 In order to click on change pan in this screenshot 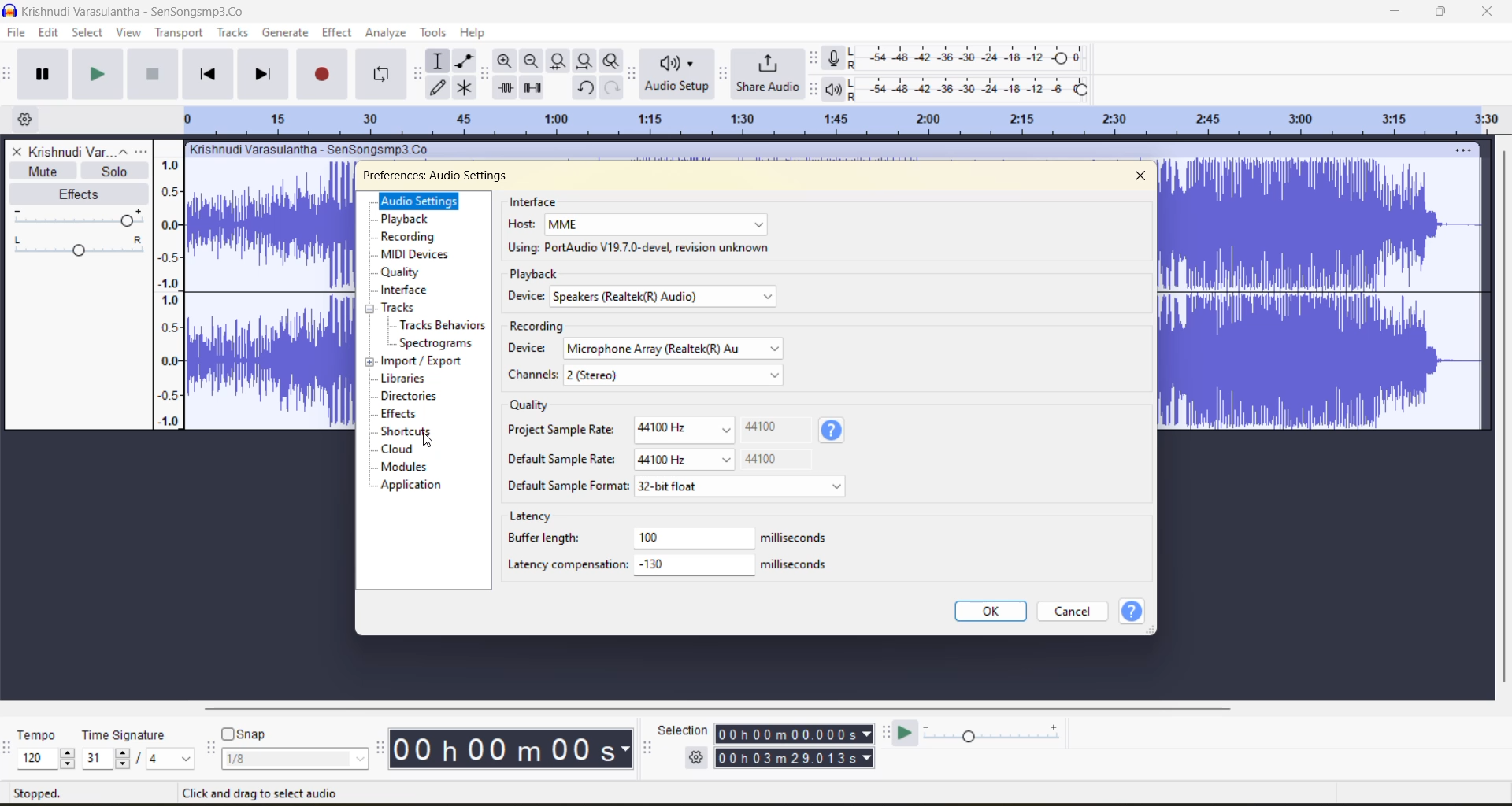, I will do `click(82, 254)`.